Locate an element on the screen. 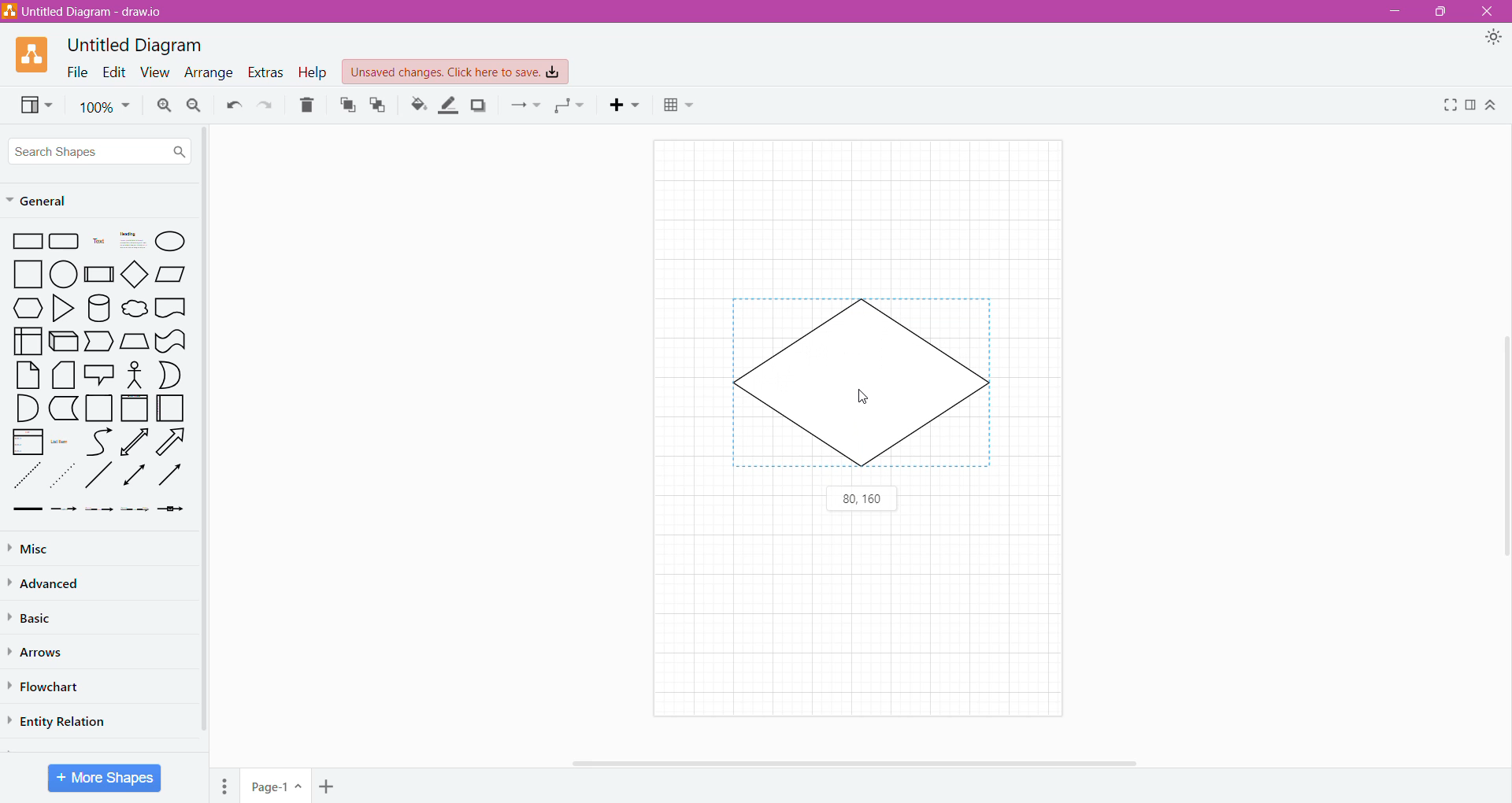 This screenshot has height=803, width=1512. Note is located at coordinates (28, 375).